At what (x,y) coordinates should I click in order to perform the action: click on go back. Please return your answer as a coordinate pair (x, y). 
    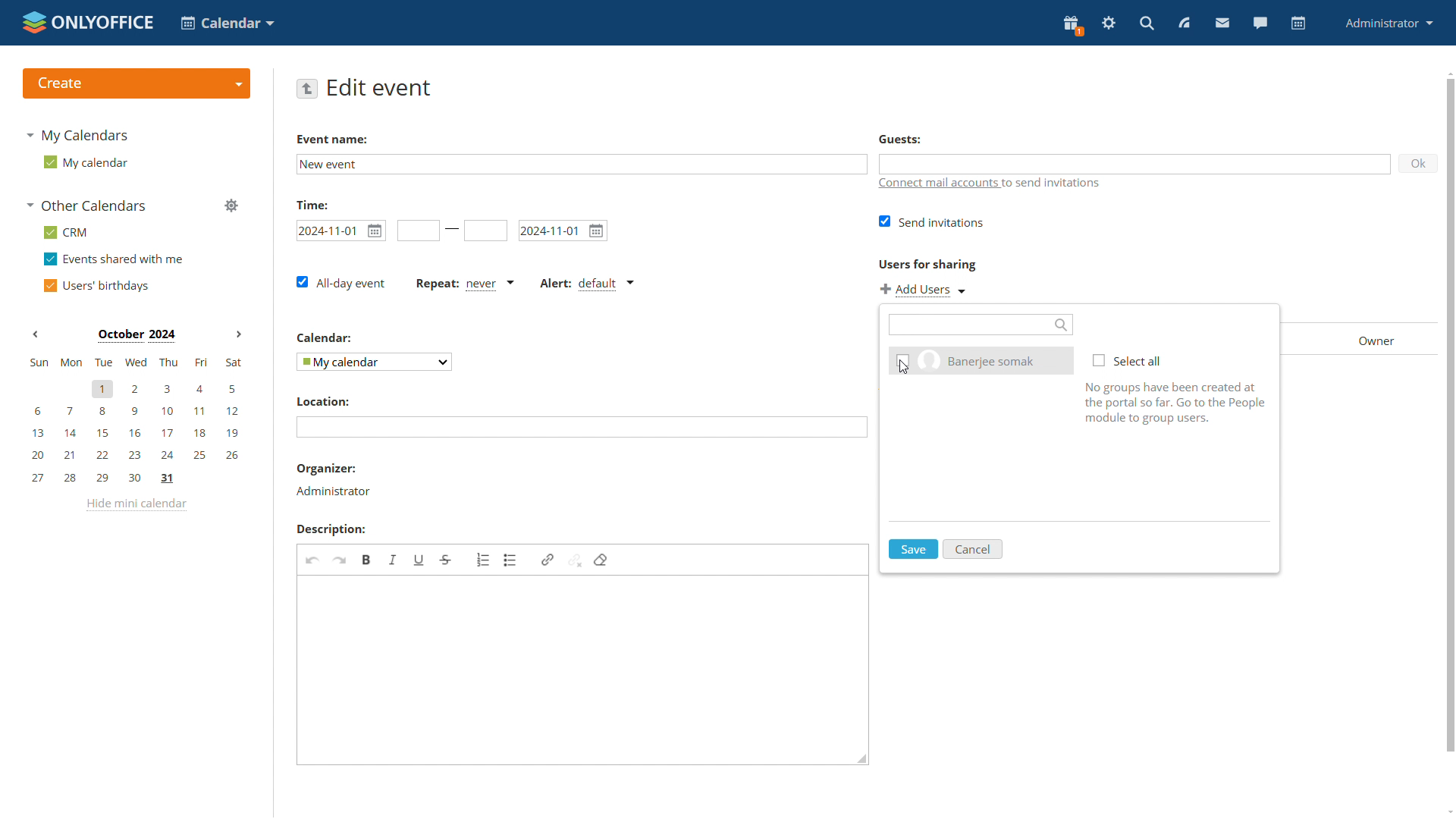
    Looking at the image, I should click on (308, 89).